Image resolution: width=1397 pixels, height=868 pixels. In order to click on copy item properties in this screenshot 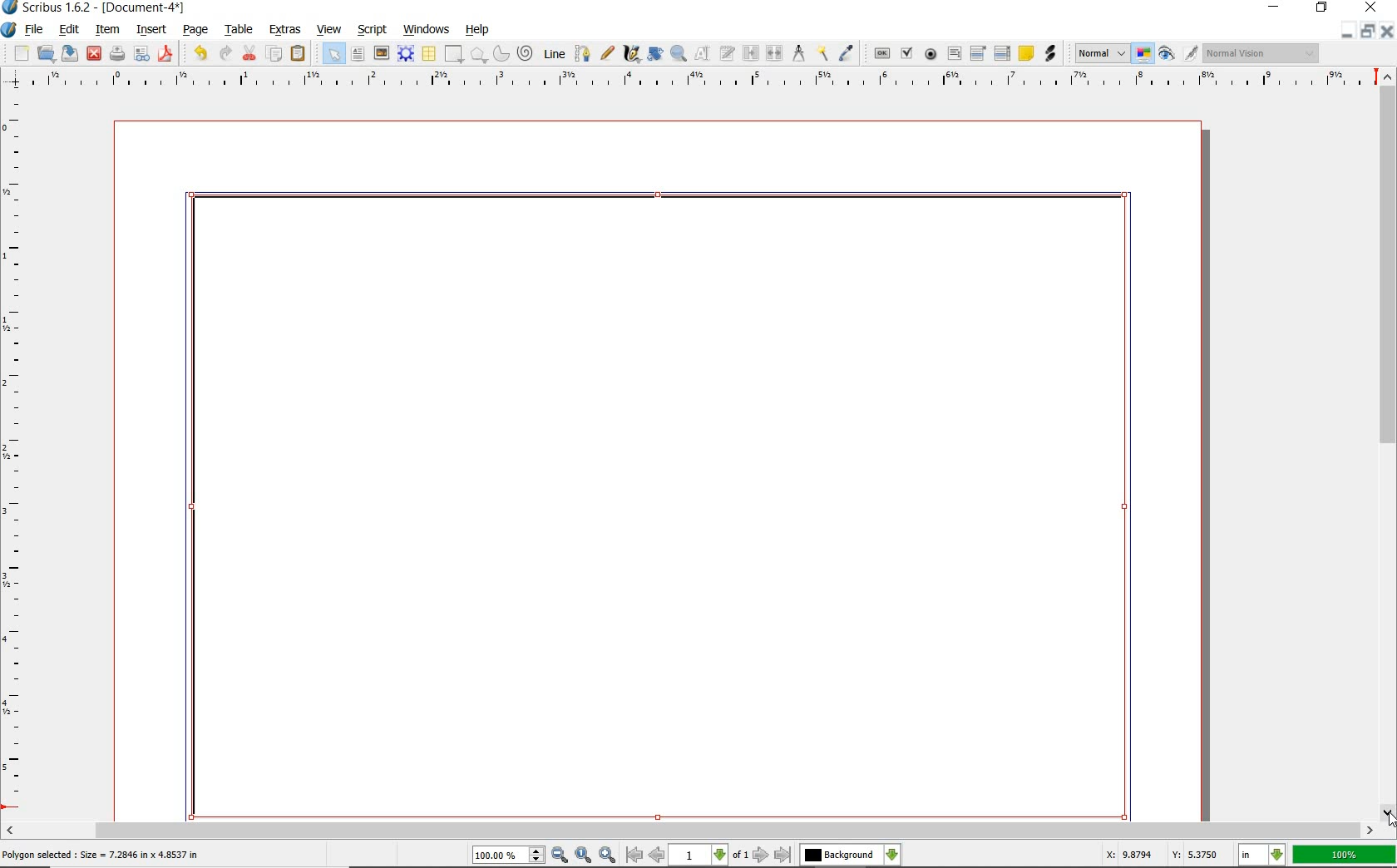, I will do `click(822, 53)`.